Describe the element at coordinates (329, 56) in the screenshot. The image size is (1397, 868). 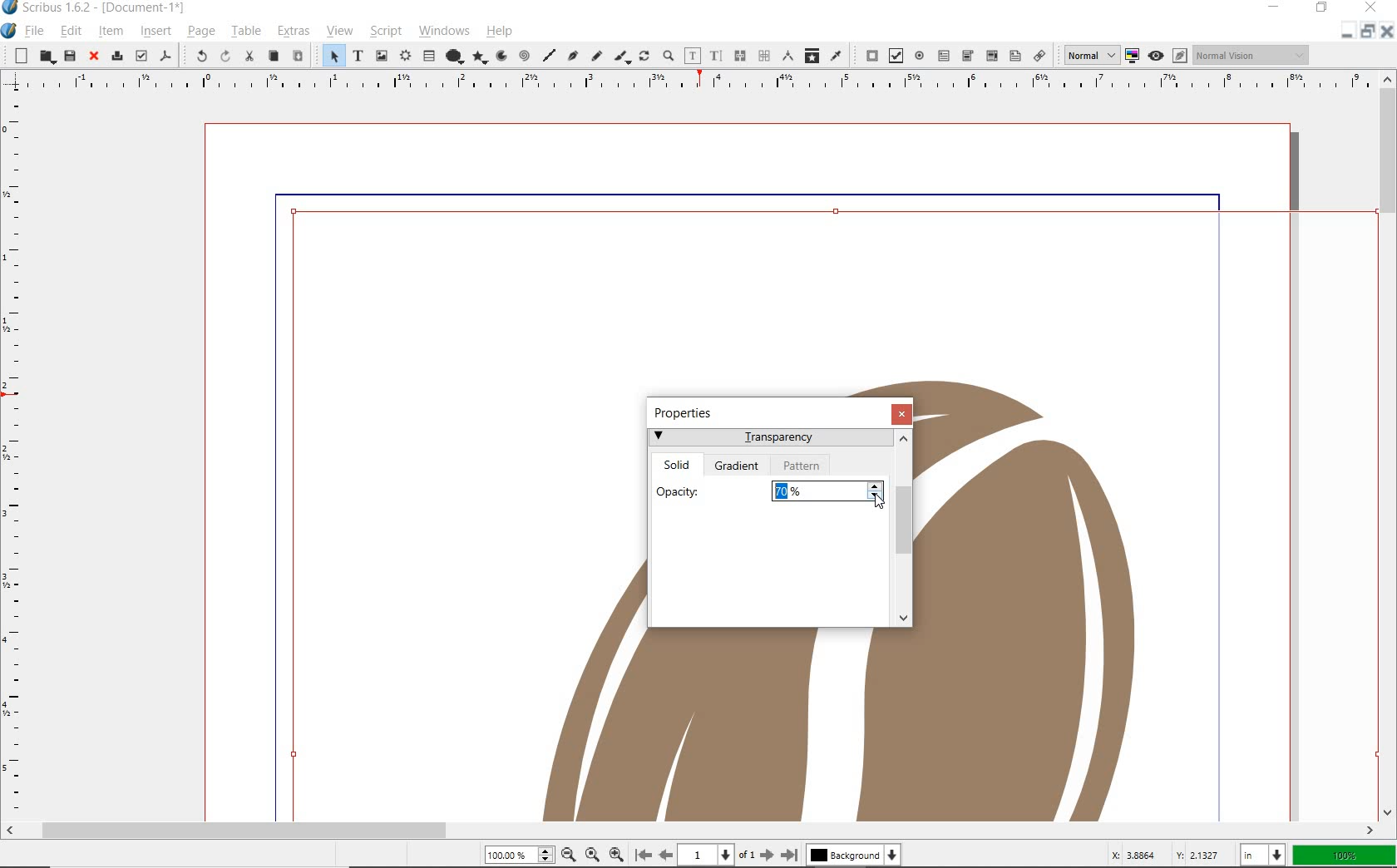
I see `select item` at that location.